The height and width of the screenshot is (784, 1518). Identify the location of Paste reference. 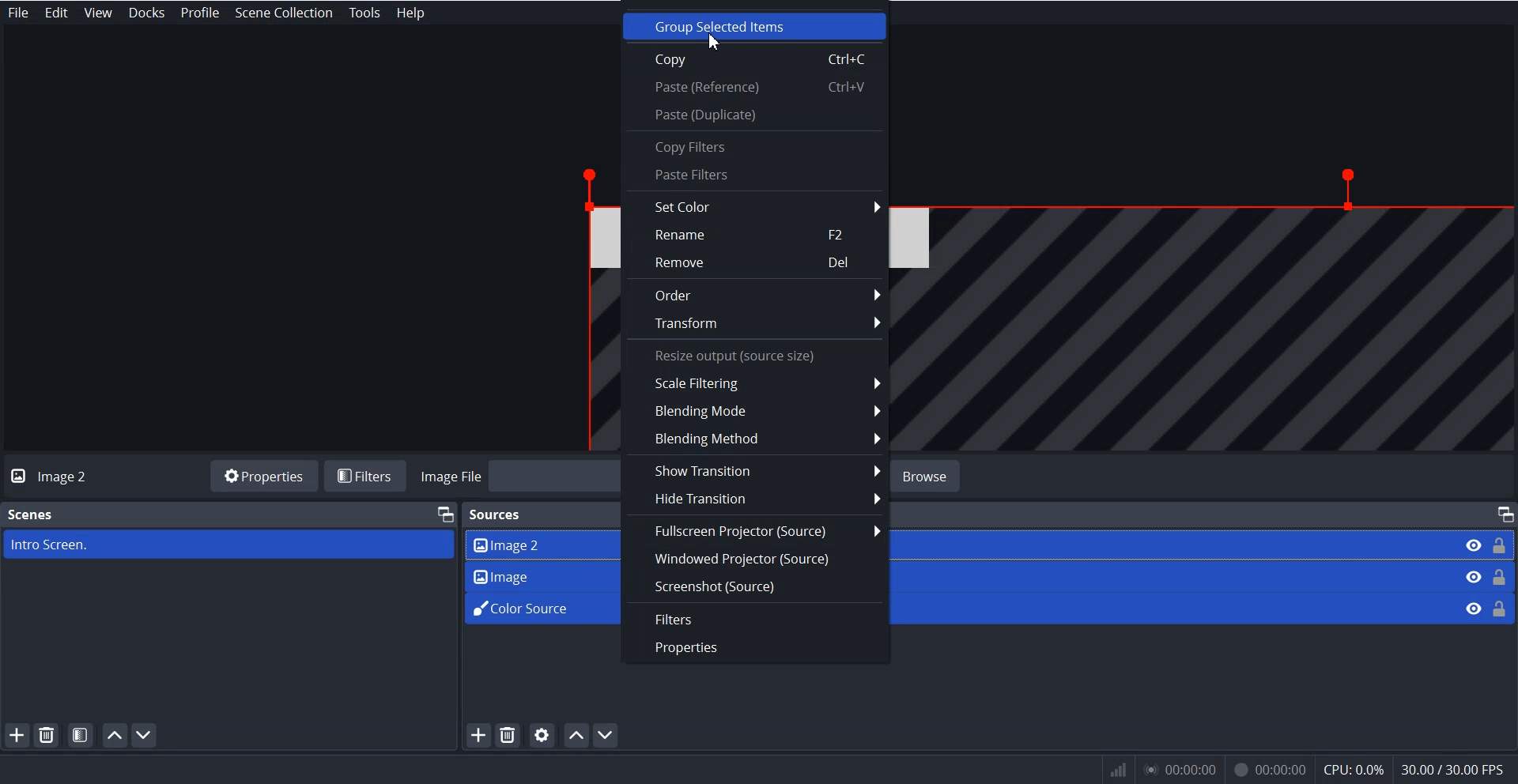
(699, 87).